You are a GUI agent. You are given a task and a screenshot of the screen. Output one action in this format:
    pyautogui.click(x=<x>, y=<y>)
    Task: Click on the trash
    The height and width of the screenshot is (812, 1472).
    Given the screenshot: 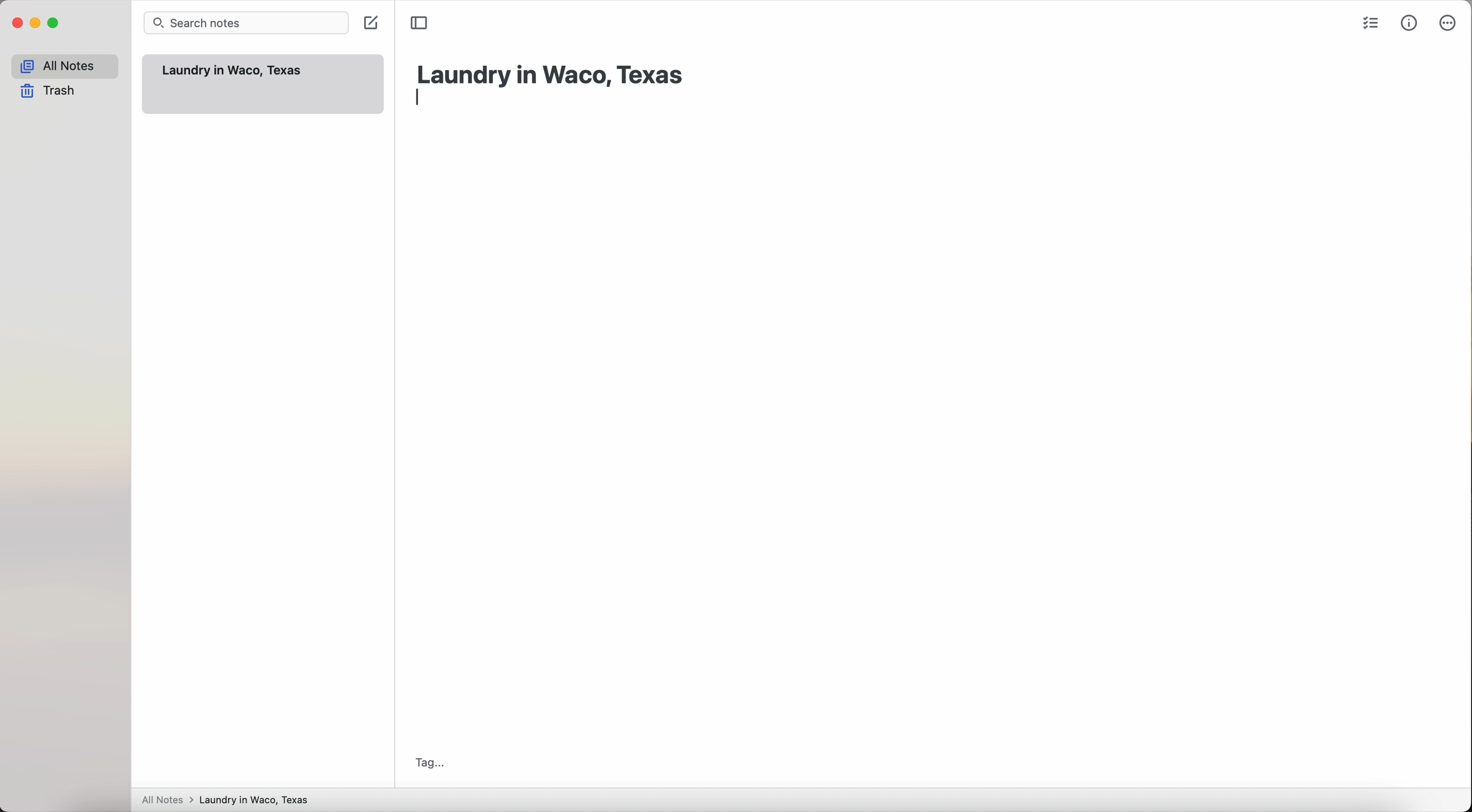 What is the action you would take?
    pyautogui.click(x=51, y=92)
    